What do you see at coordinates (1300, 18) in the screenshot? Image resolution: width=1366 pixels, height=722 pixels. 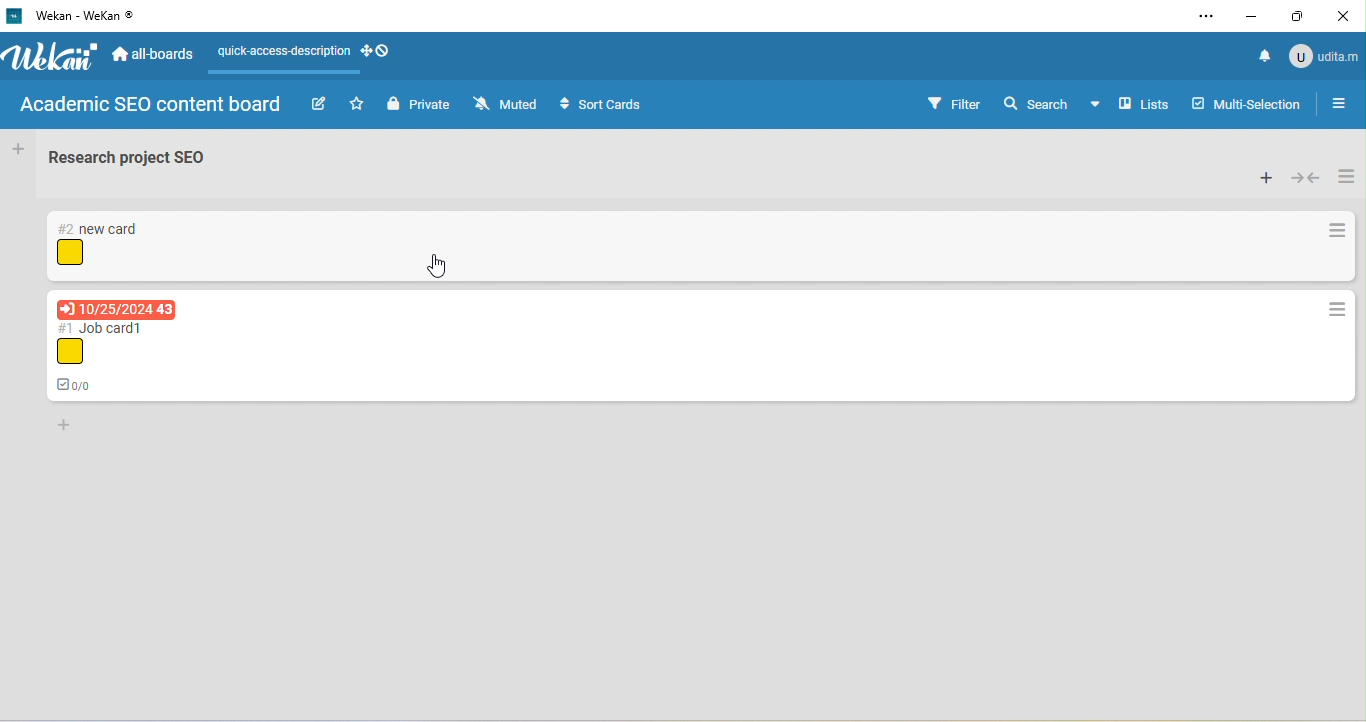 I see `maximize` at bounding box center [1300, 18].